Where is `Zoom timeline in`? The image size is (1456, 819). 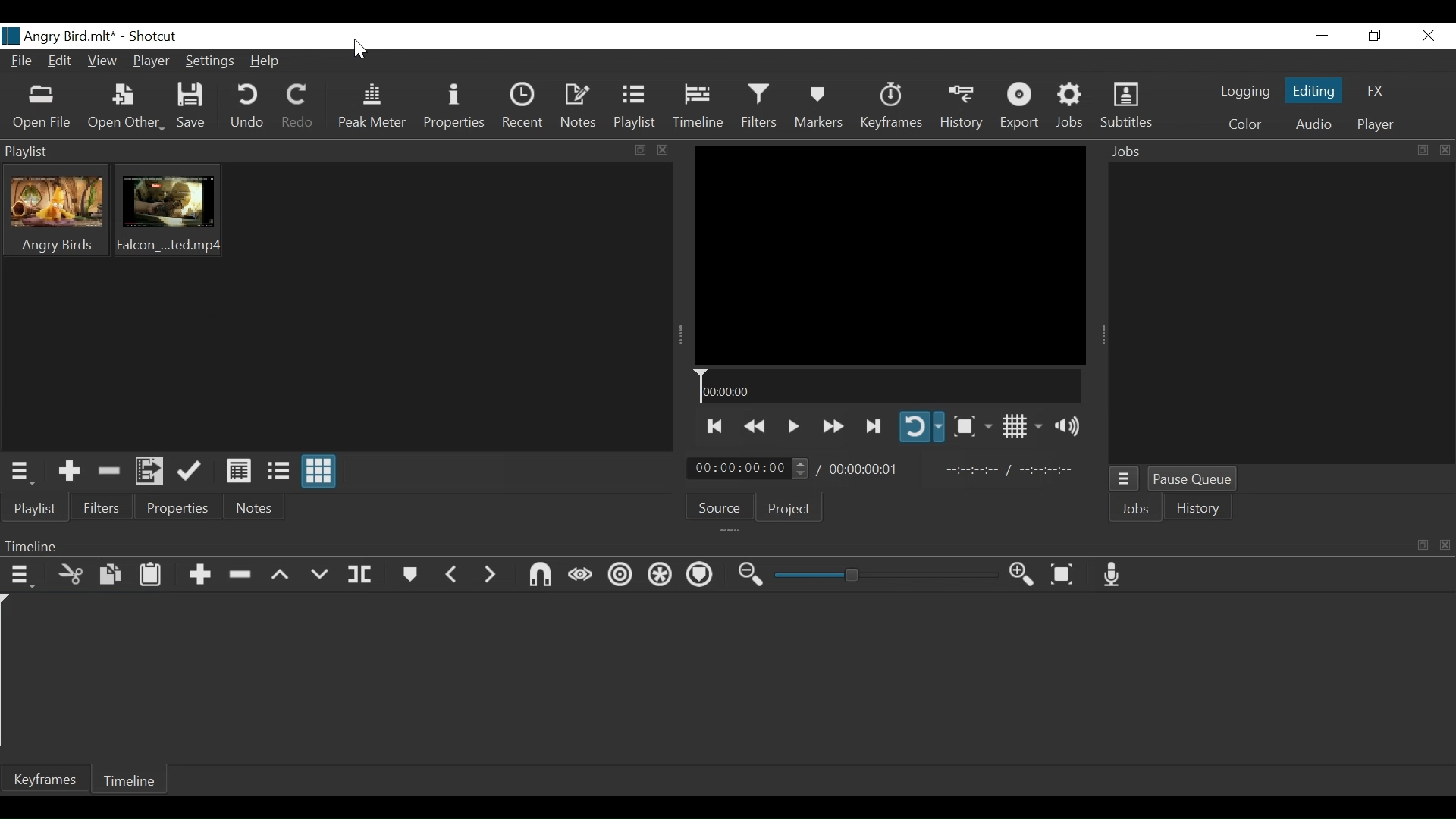
Zoom timeline in is located at coordinates (1021, 574).